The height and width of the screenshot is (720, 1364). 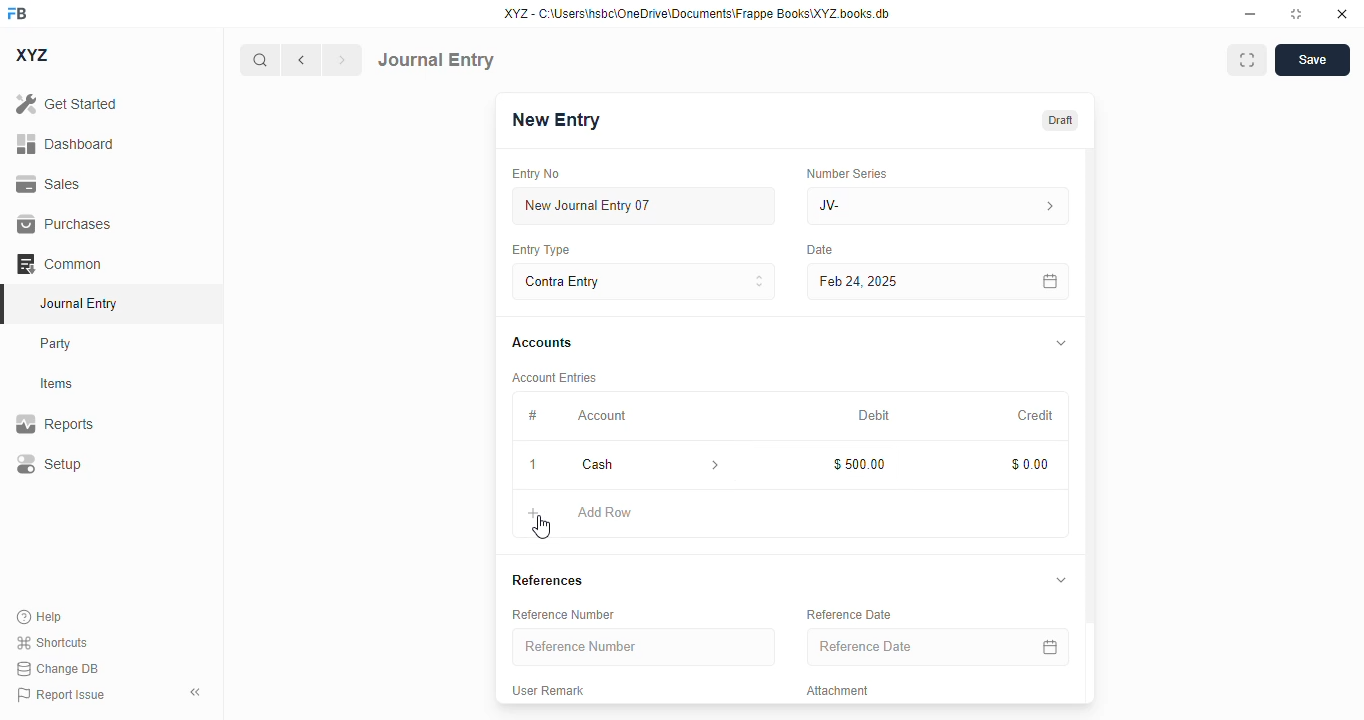 I want to click on get started, so click(x=67, y=104).